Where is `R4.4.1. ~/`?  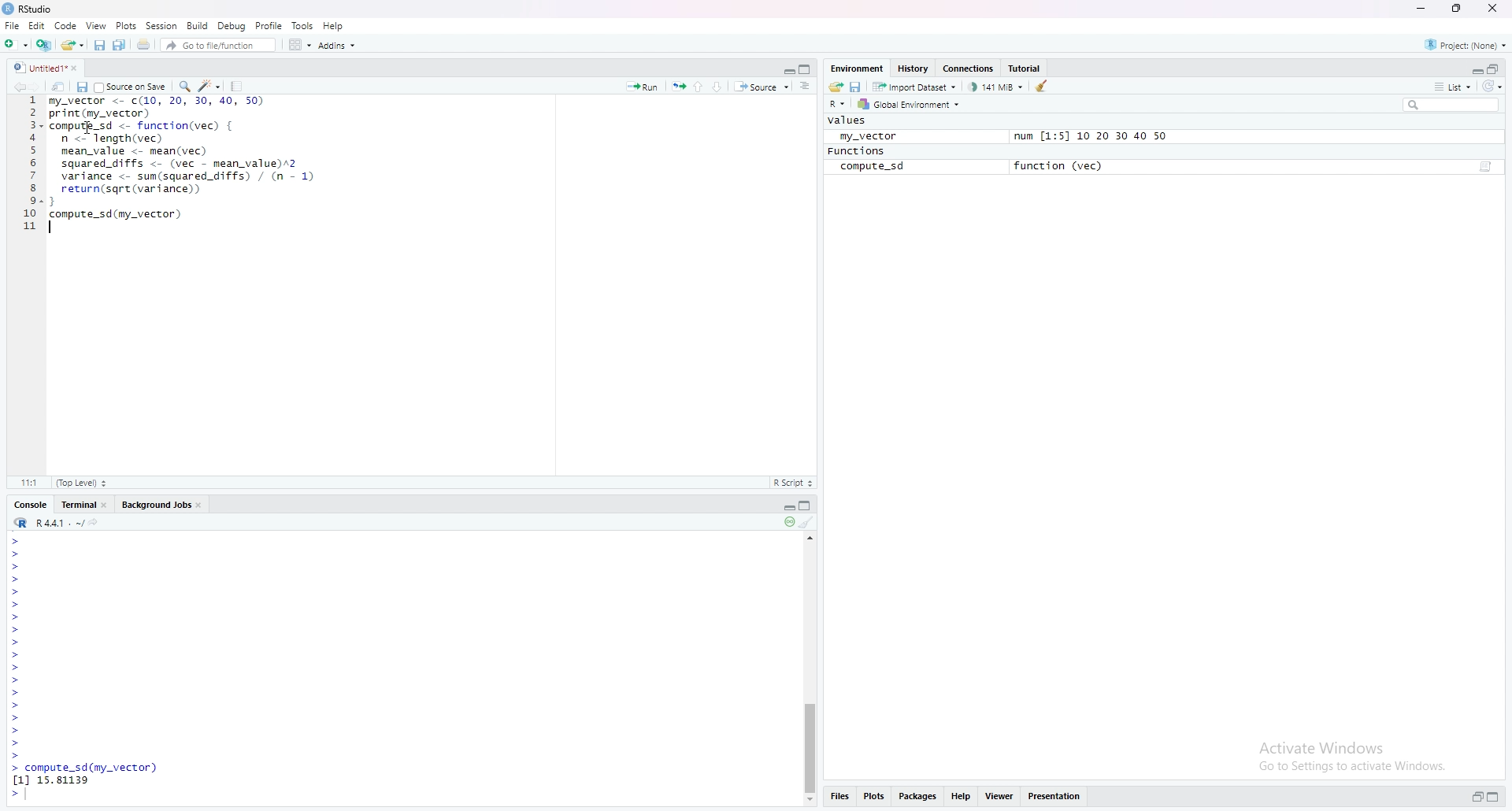 R4.4.1. ~/ is located at coordinates (60, 522).